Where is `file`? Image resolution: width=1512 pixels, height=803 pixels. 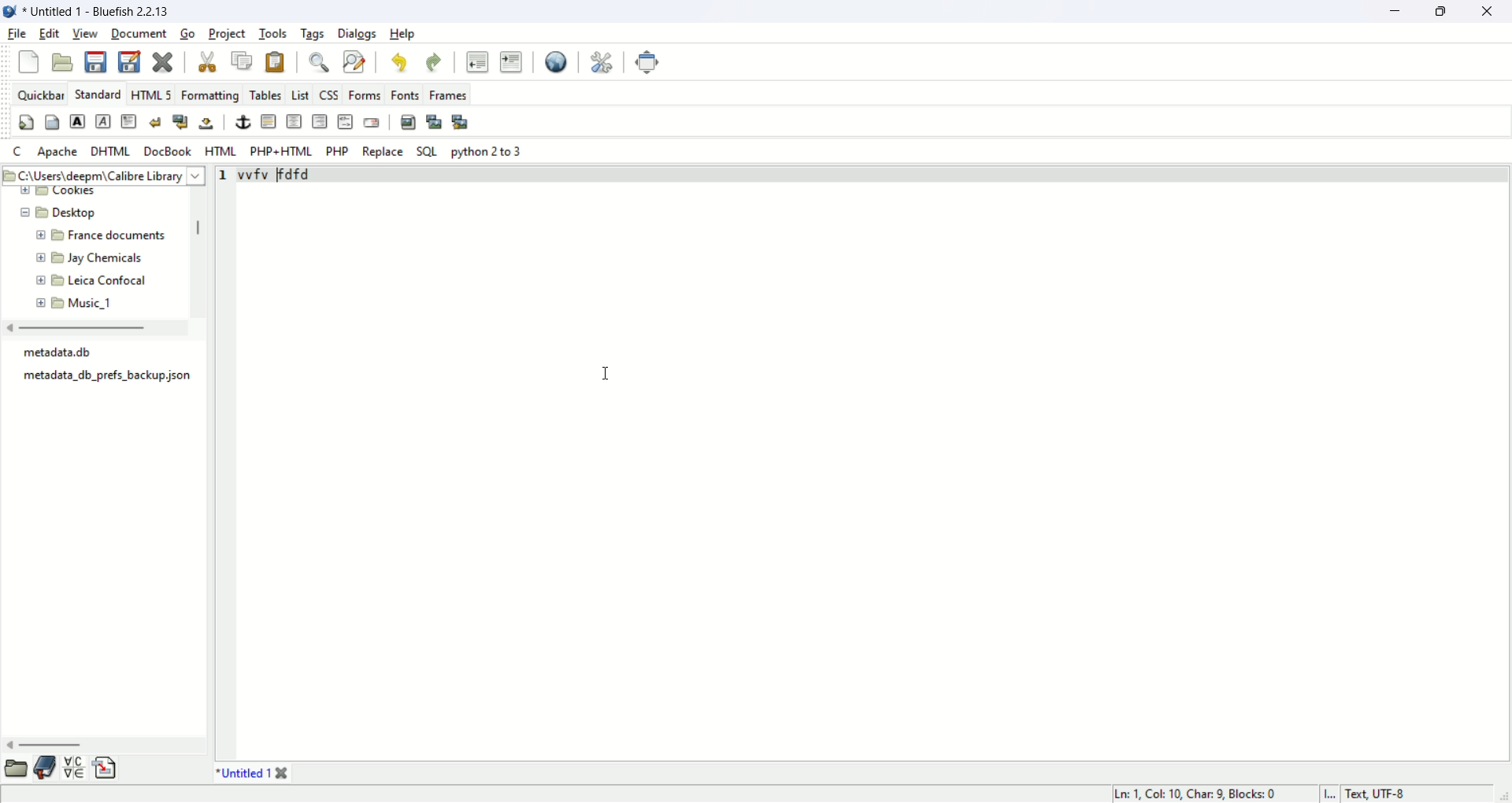 file is located at coordinates (18, 35).